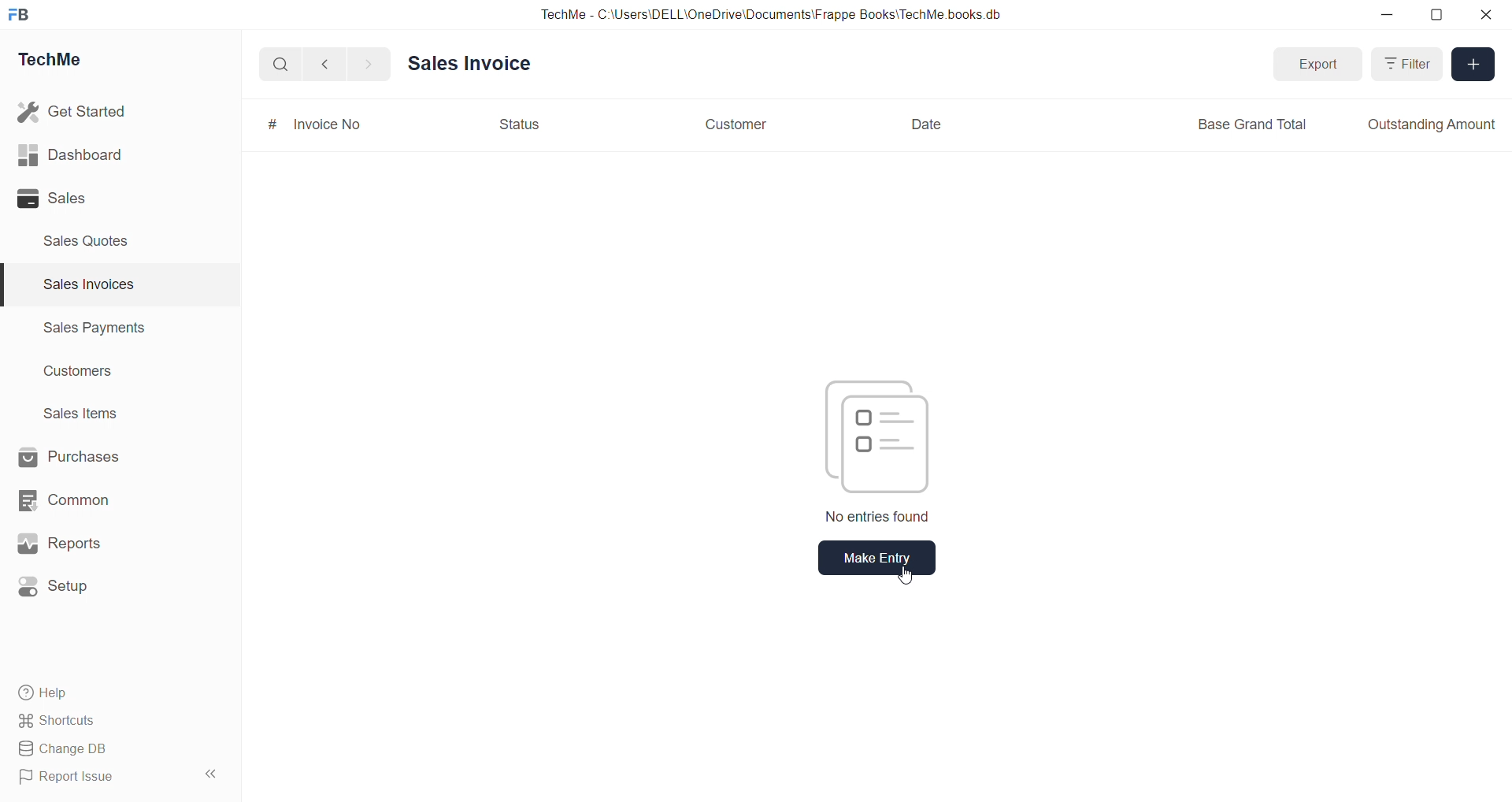 The width and height of the screenshot is (1512, 802). Describe the element at coordinates (73, 111) in the screenshot. I see `Get Started` at that location.